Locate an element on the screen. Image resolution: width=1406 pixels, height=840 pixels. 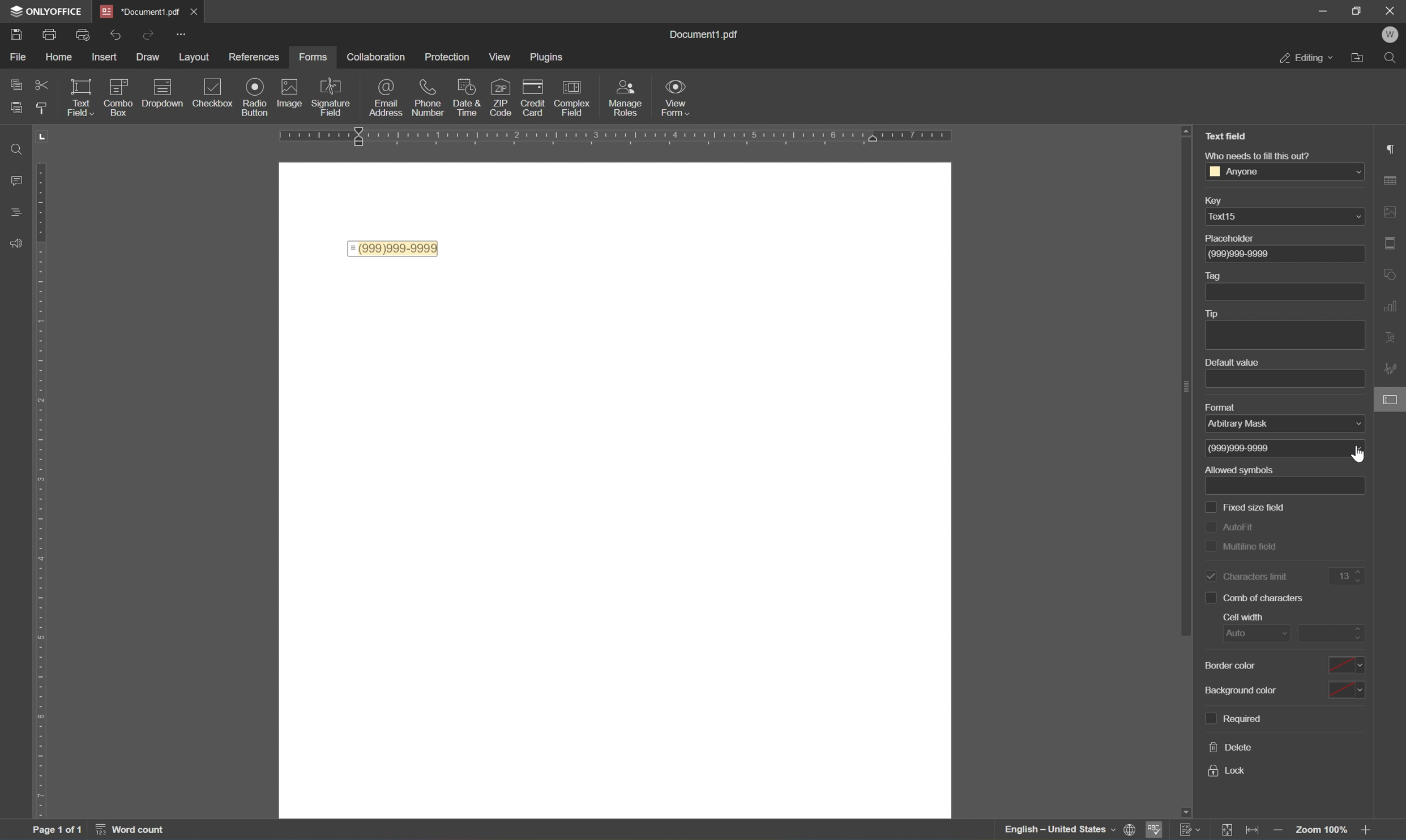
radio button is located at coordinates (255, 96).